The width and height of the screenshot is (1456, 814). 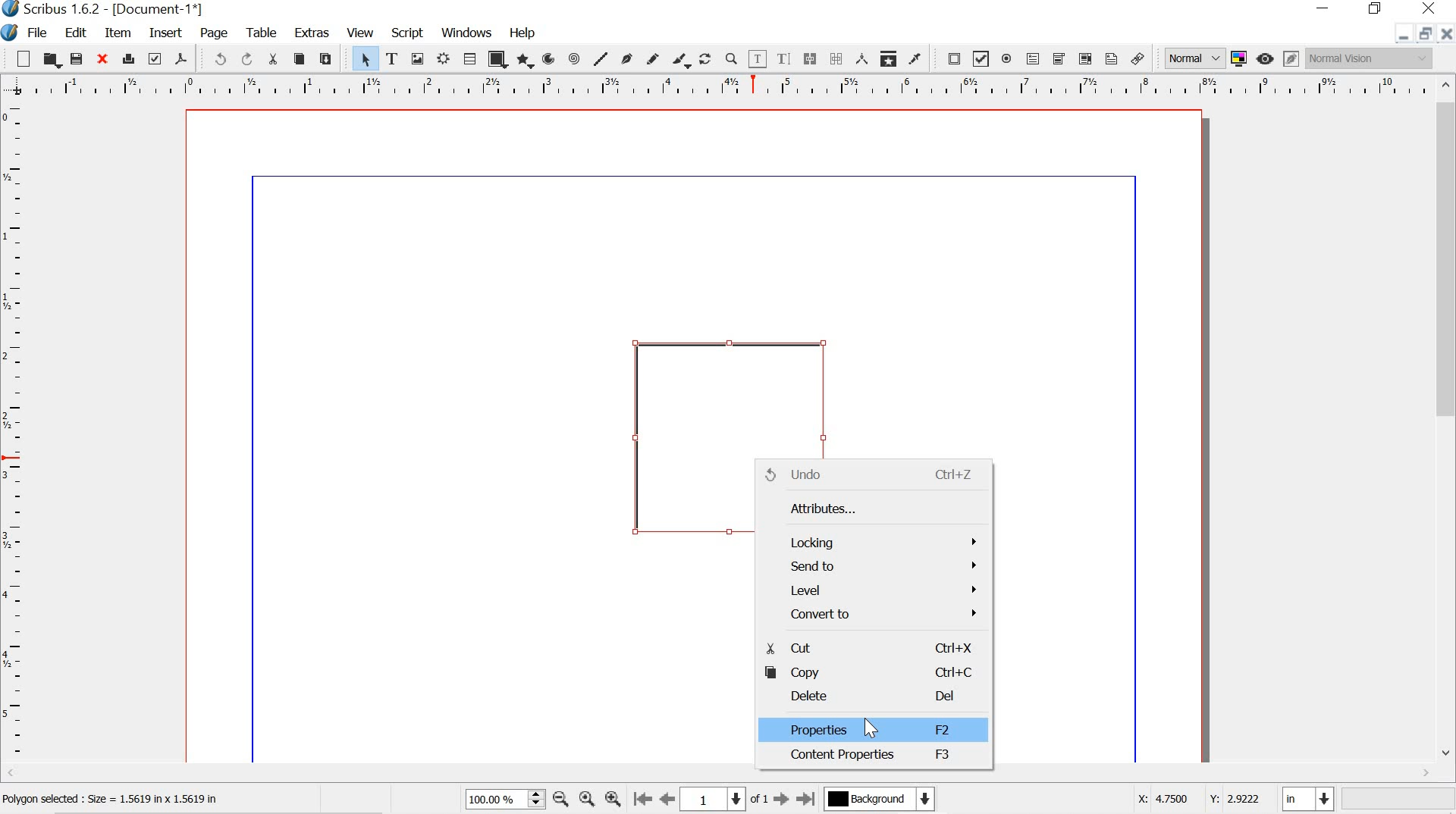 I want to click on pdf check box, so click(x=981, y=58).